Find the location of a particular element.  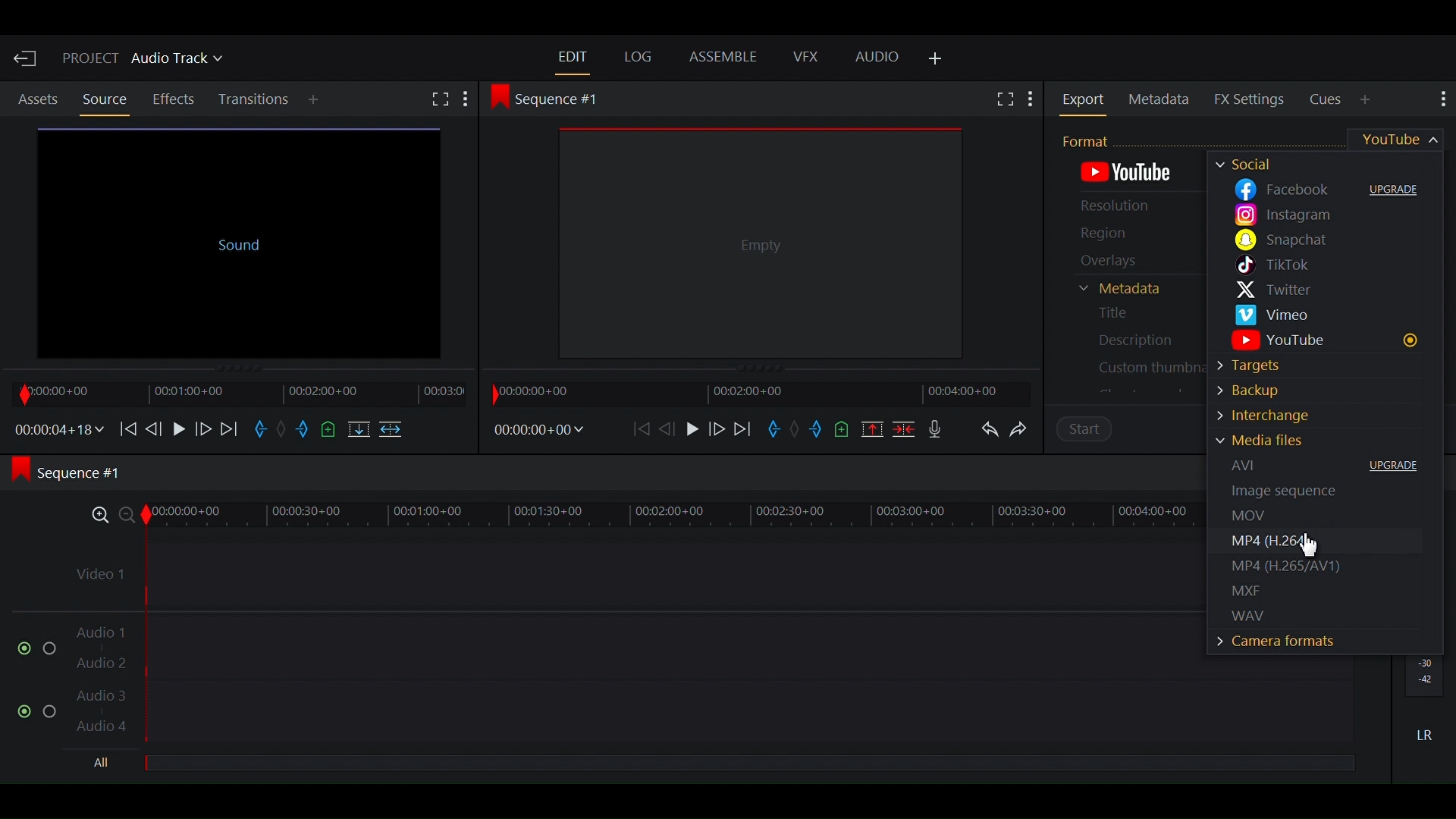

Metadata is located at coordinates (1162, 100).